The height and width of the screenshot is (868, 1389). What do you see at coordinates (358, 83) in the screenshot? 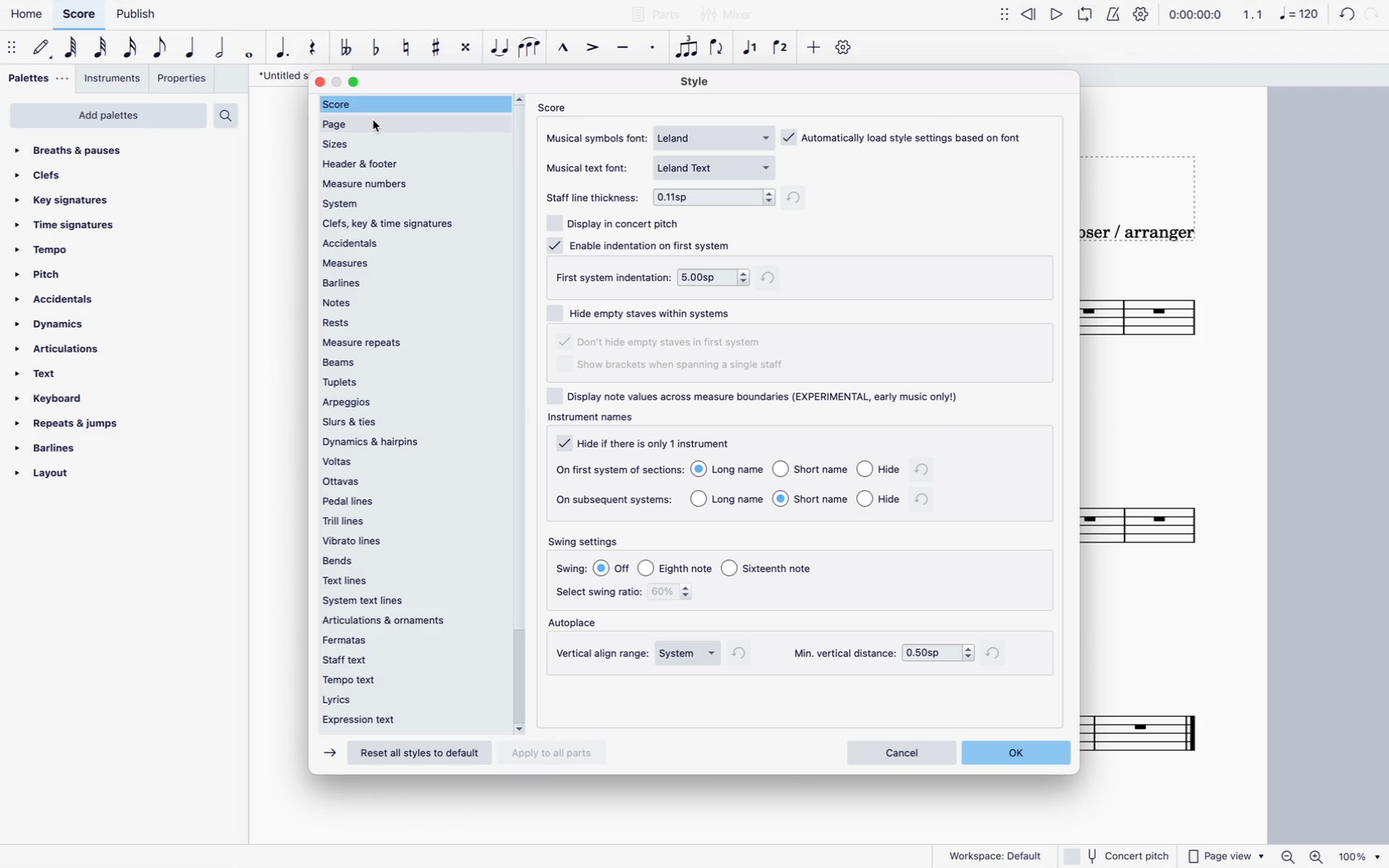
I see `maximize` at bounding box center [358, 83].